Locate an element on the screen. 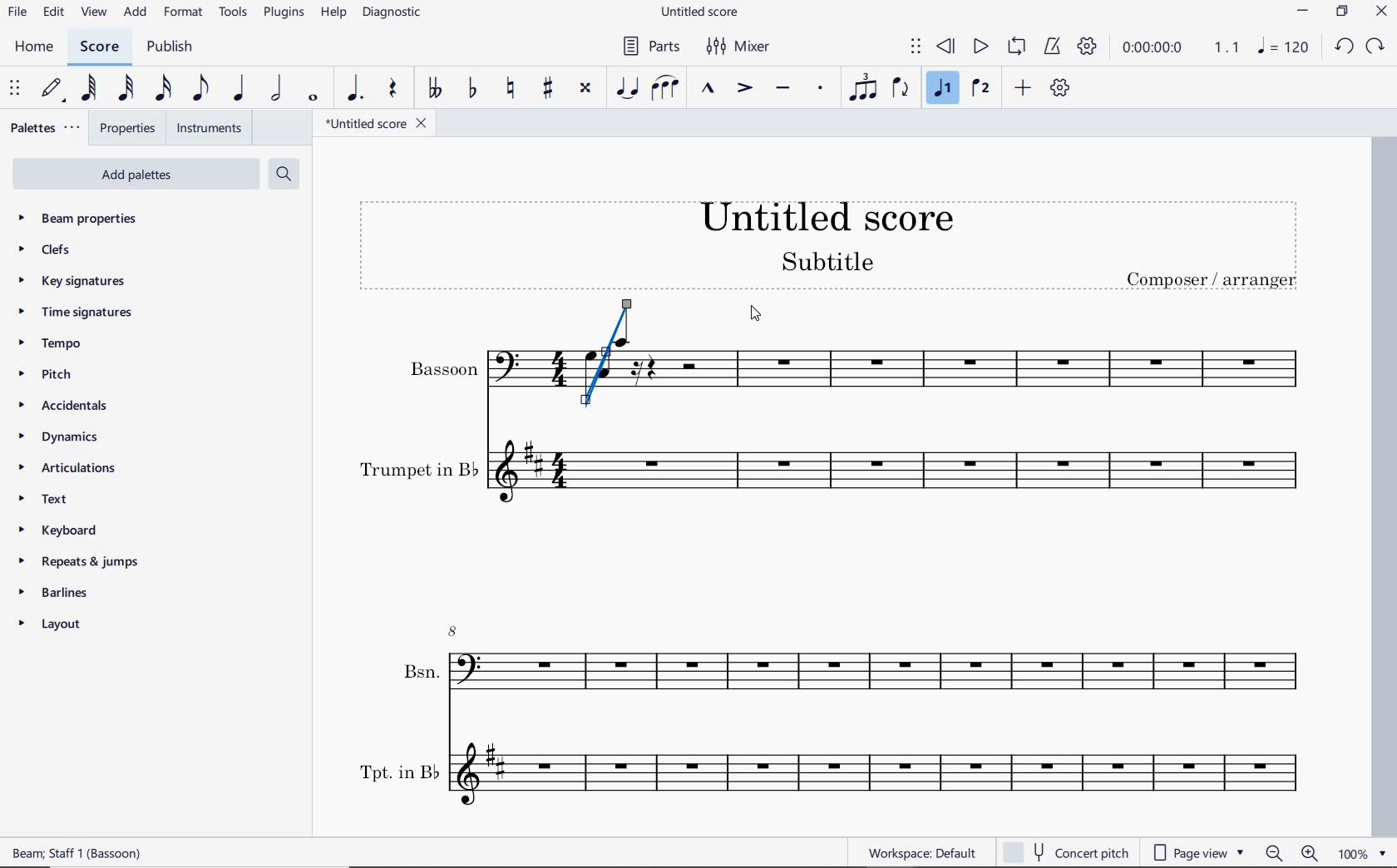 This screenshot has width=1397, height=868. tempo is located at coordinates (54, 343).